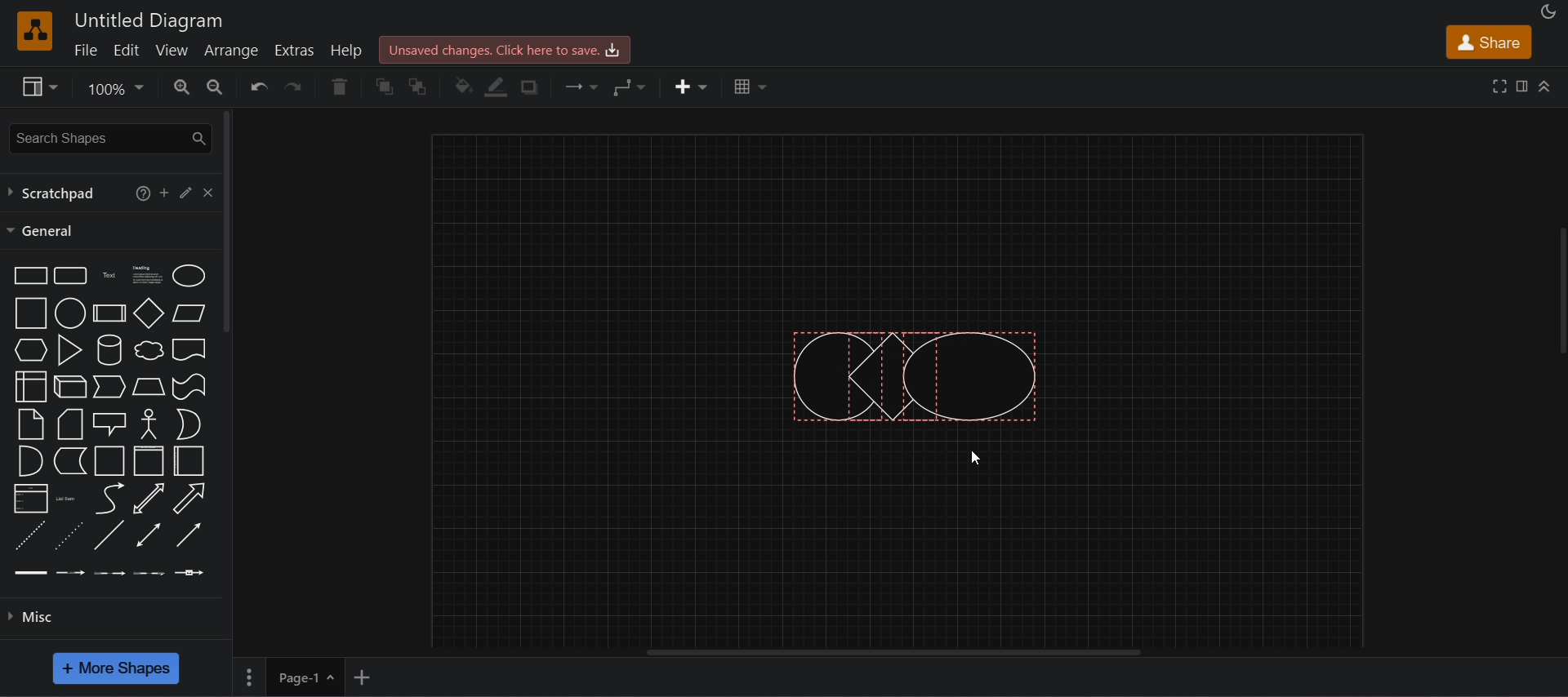 This screenshot has height=697, width=1568. I want to click on tavle, so click(751, 87).